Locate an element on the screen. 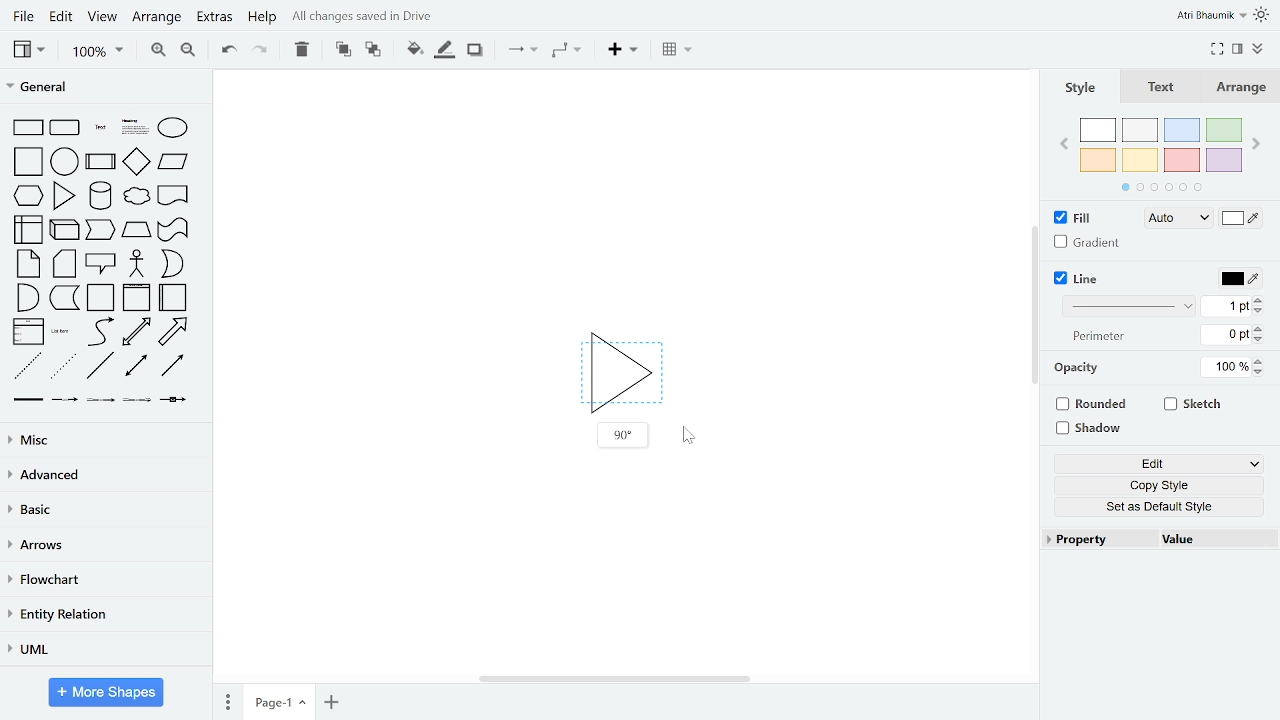  data storage is located at coordinates (65, 300).